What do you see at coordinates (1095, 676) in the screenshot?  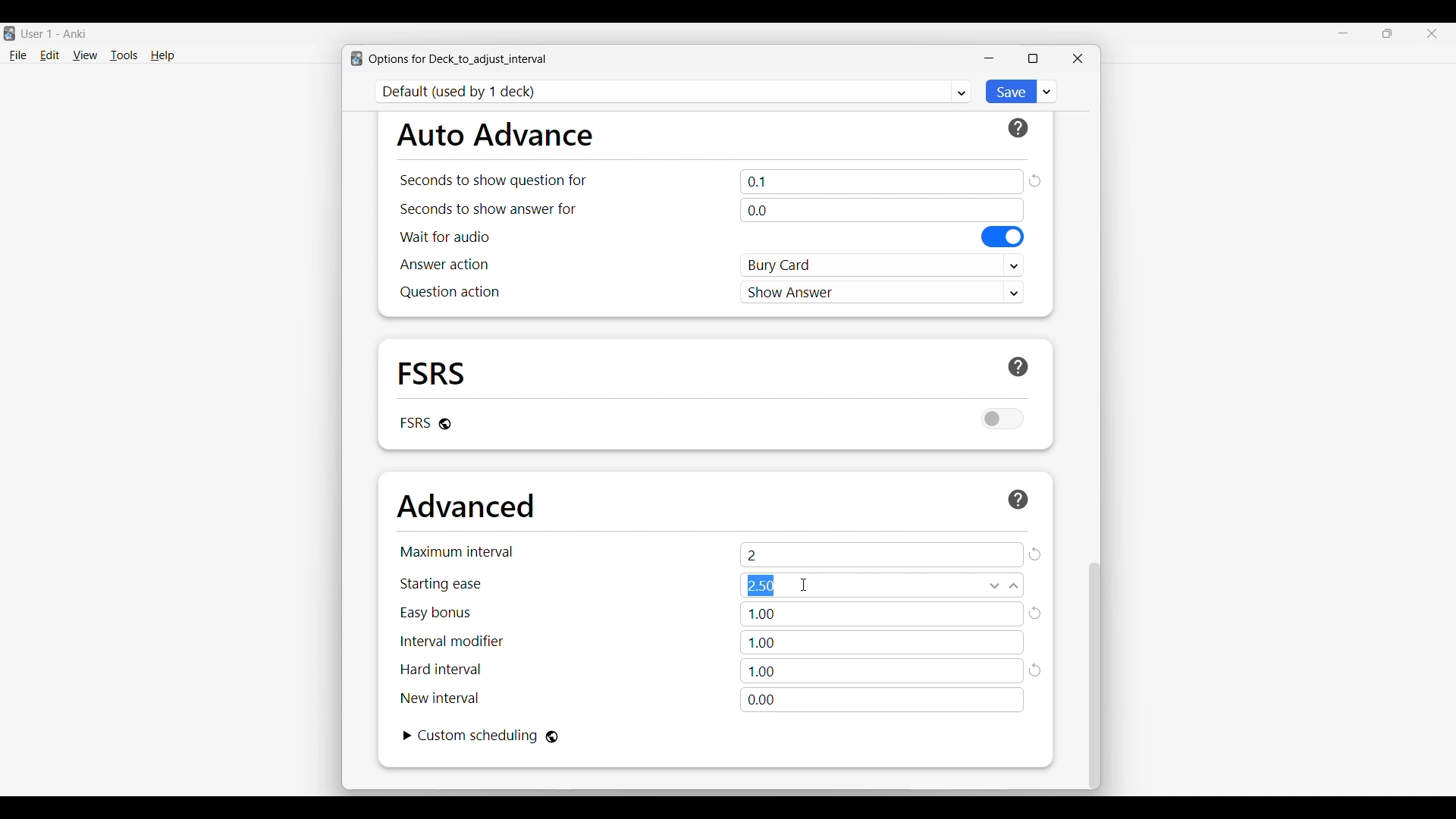 I see `Vertical slide bar` at bounding box center [1095, 676].